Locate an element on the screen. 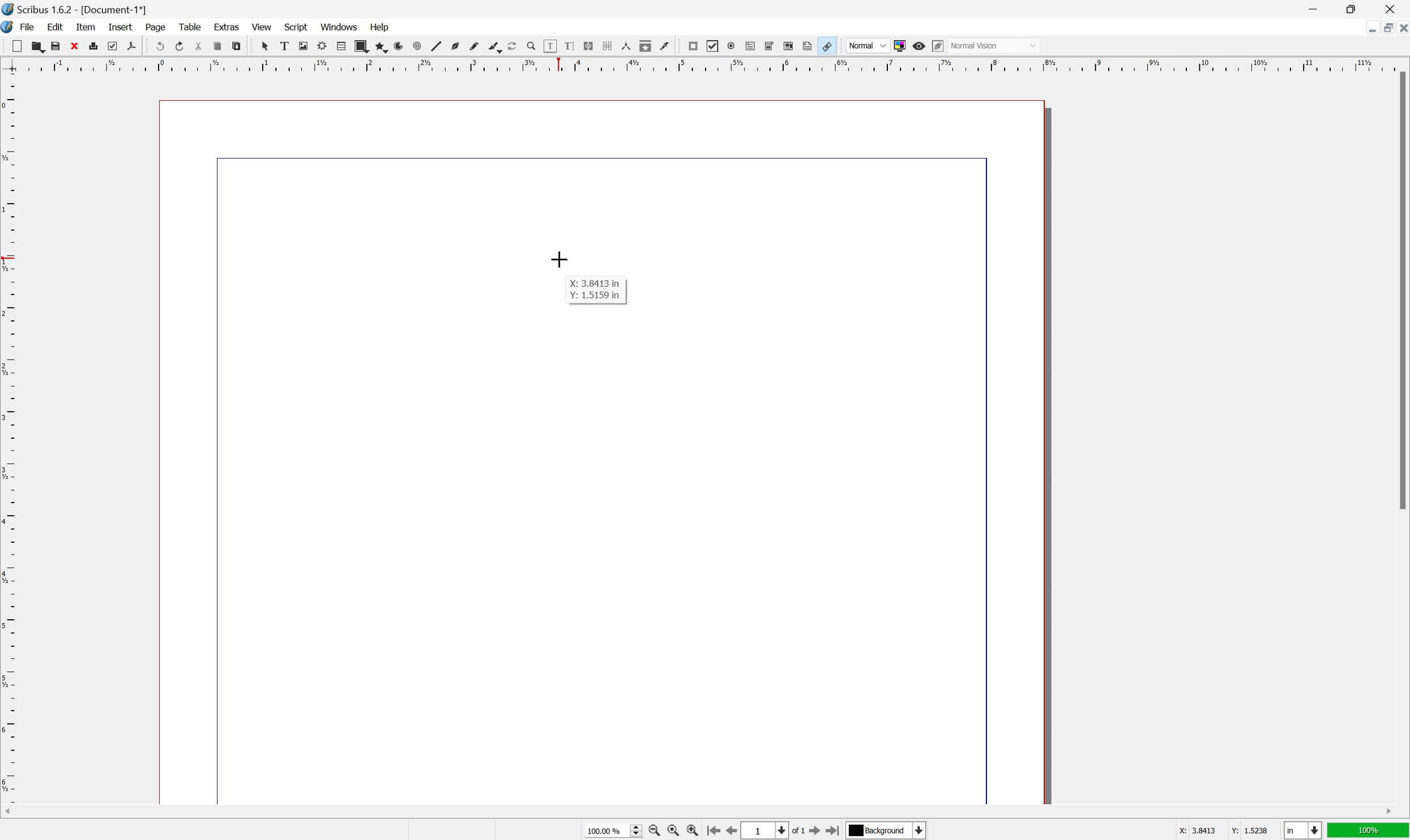 The height and width of the screenshot is (840, 1410). Help is located at coordinates (381, 28).